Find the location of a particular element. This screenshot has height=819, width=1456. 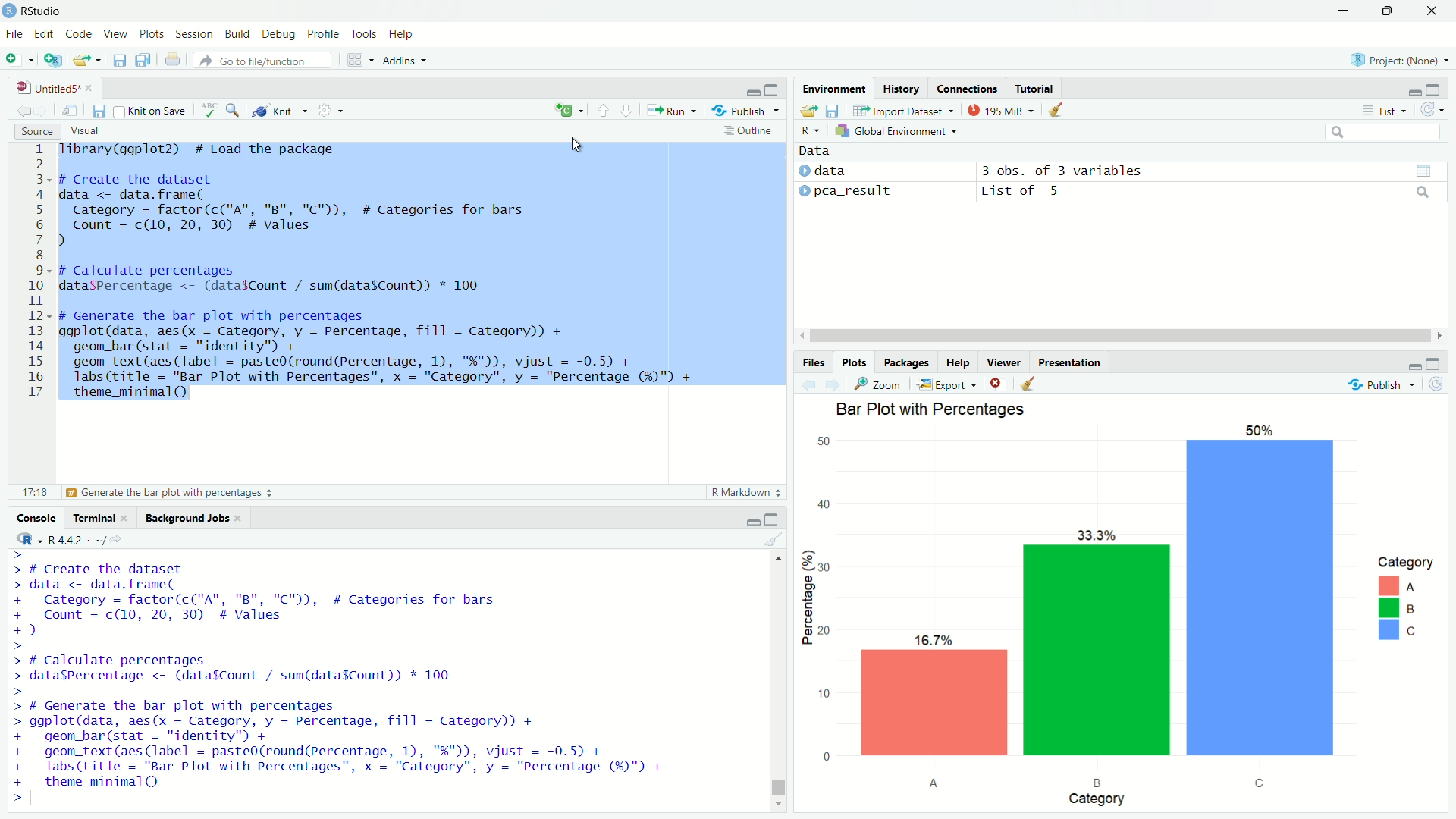

print selected file is located at coordinates (173, 59).